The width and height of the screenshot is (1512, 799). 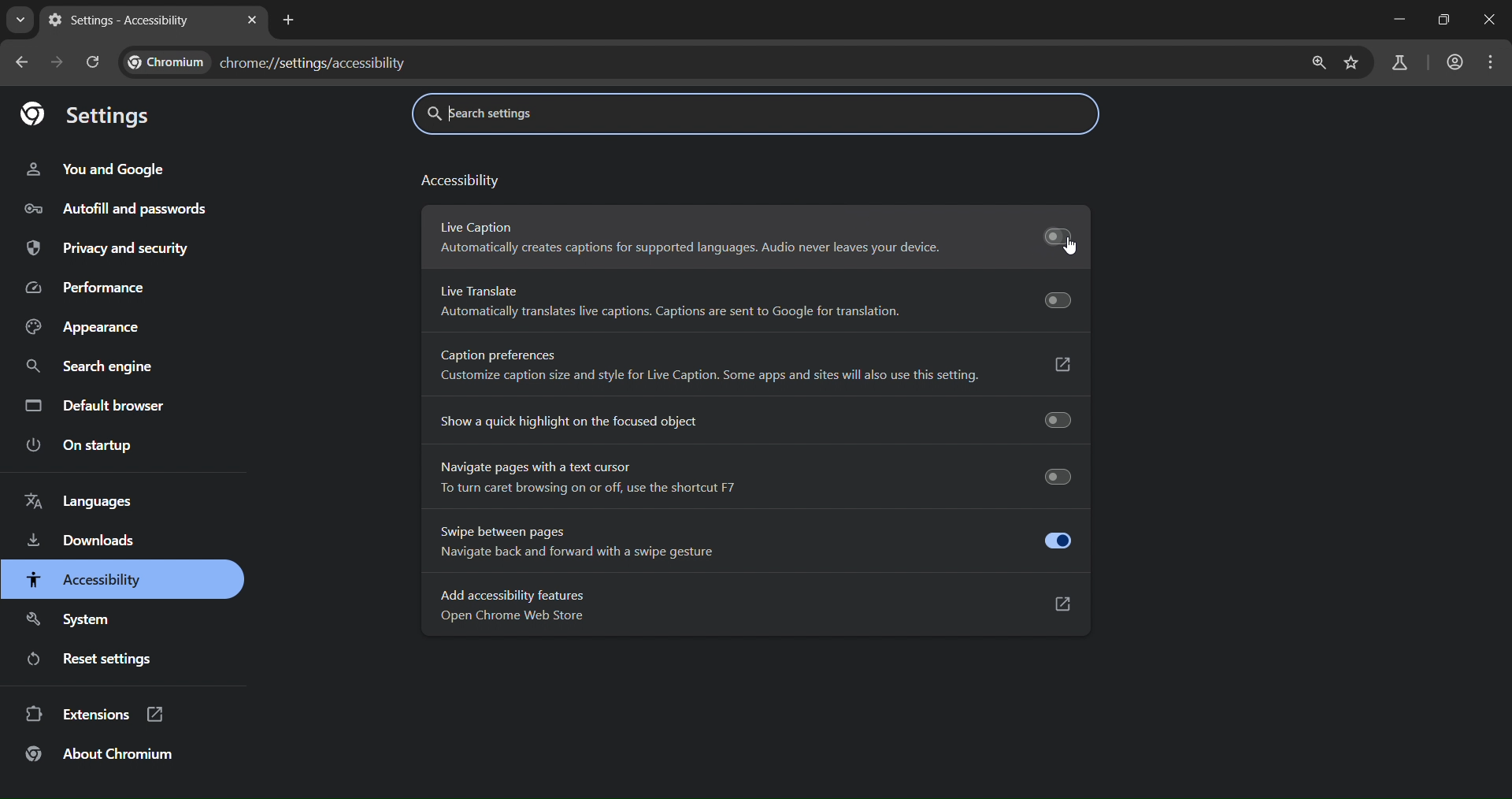 I want to click on performance, so click(x=83, y=285).